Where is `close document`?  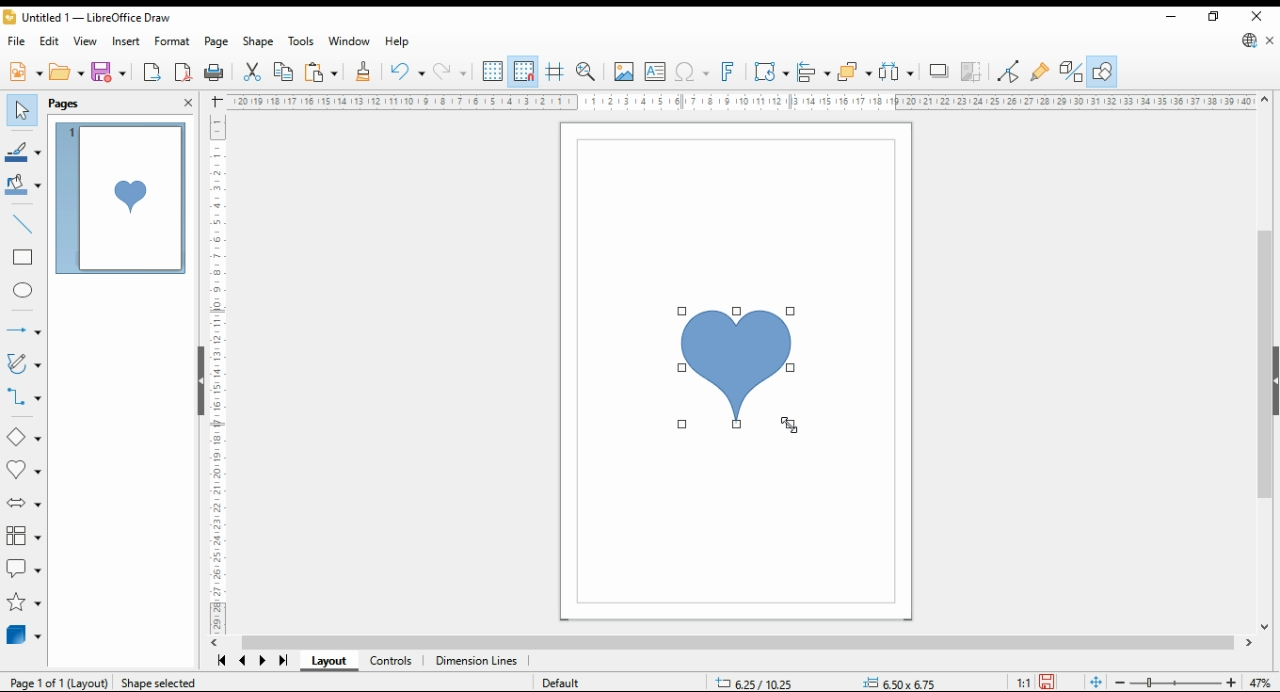 close document is located at coordinates (1270, 40).